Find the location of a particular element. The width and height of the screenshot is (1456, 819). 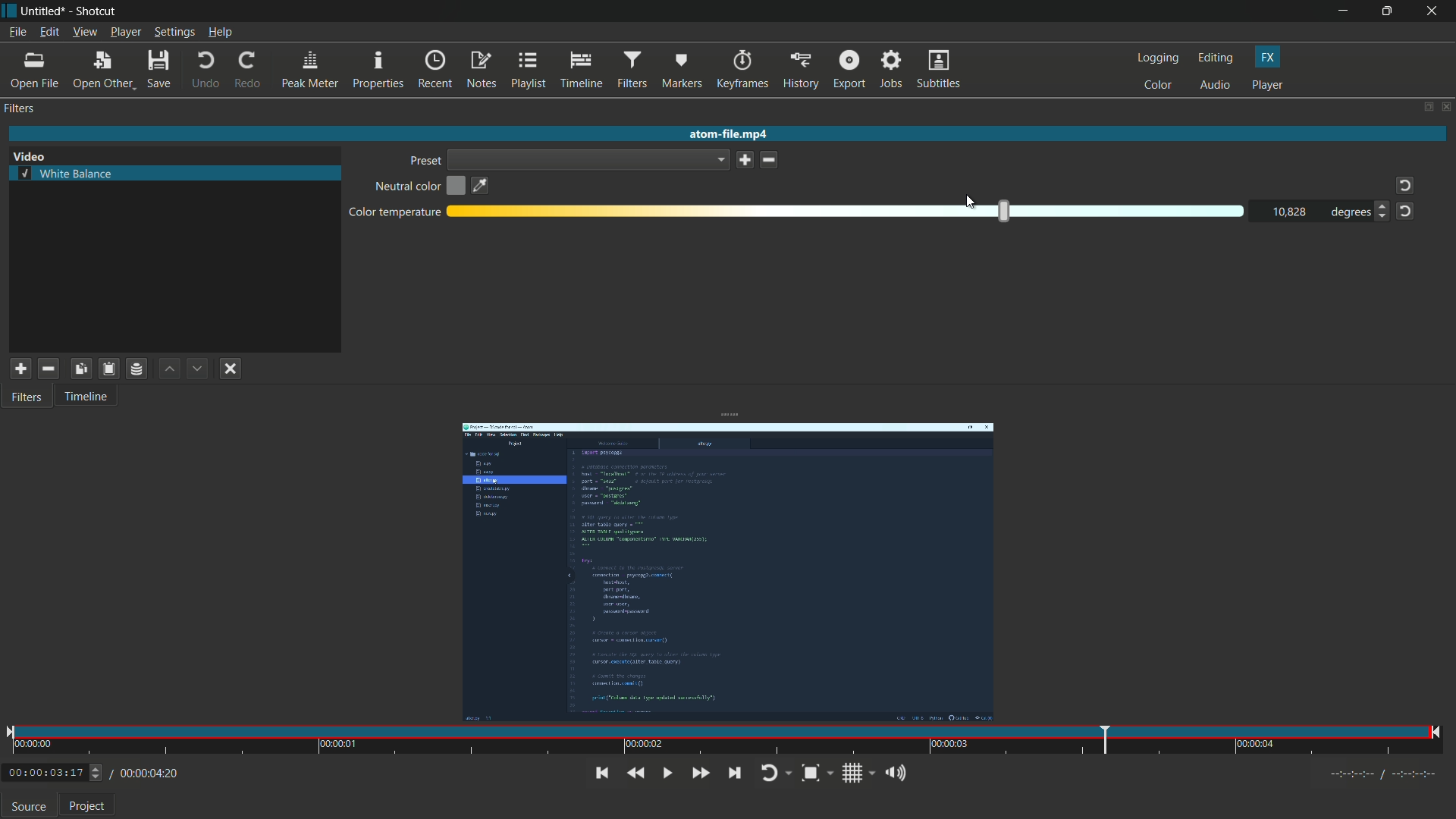

settings menu is located at coordinates (174, 32).